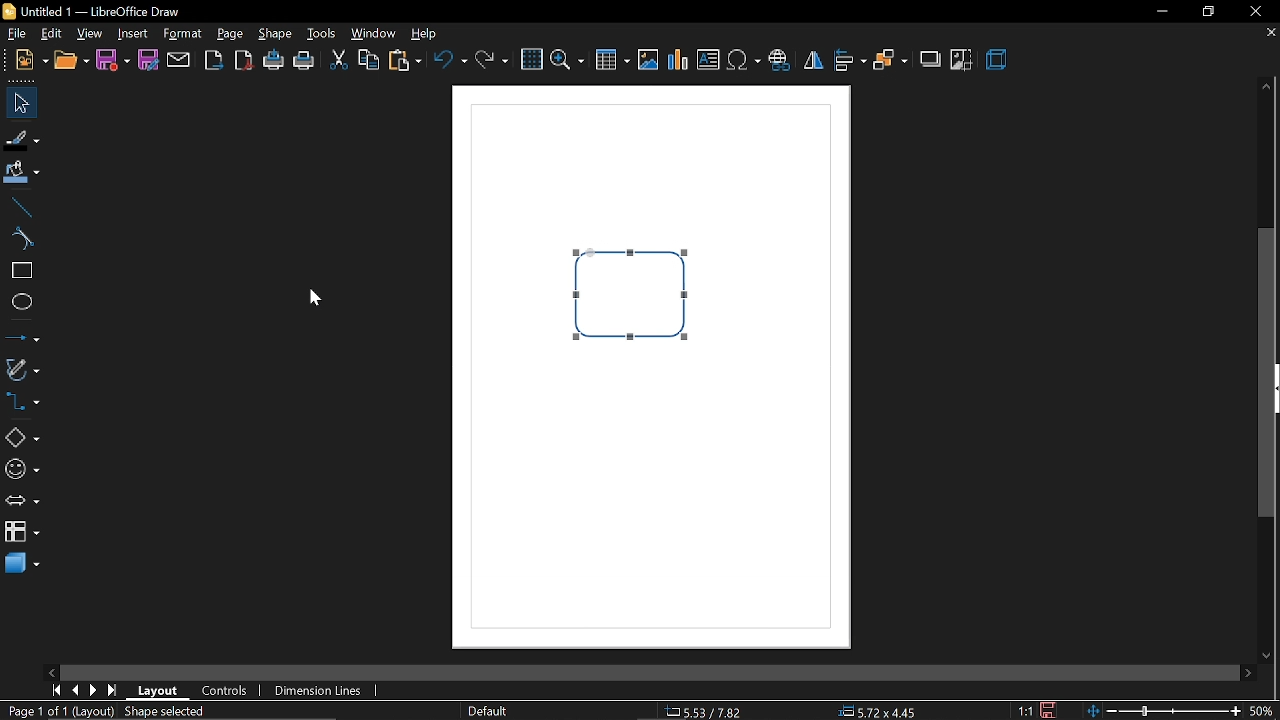 The width and height of the screenshot is (1280, 720). What do you see at coordinates (649, 61) in the screenshot?
I see `insert image` at bounding box center [649, 61].